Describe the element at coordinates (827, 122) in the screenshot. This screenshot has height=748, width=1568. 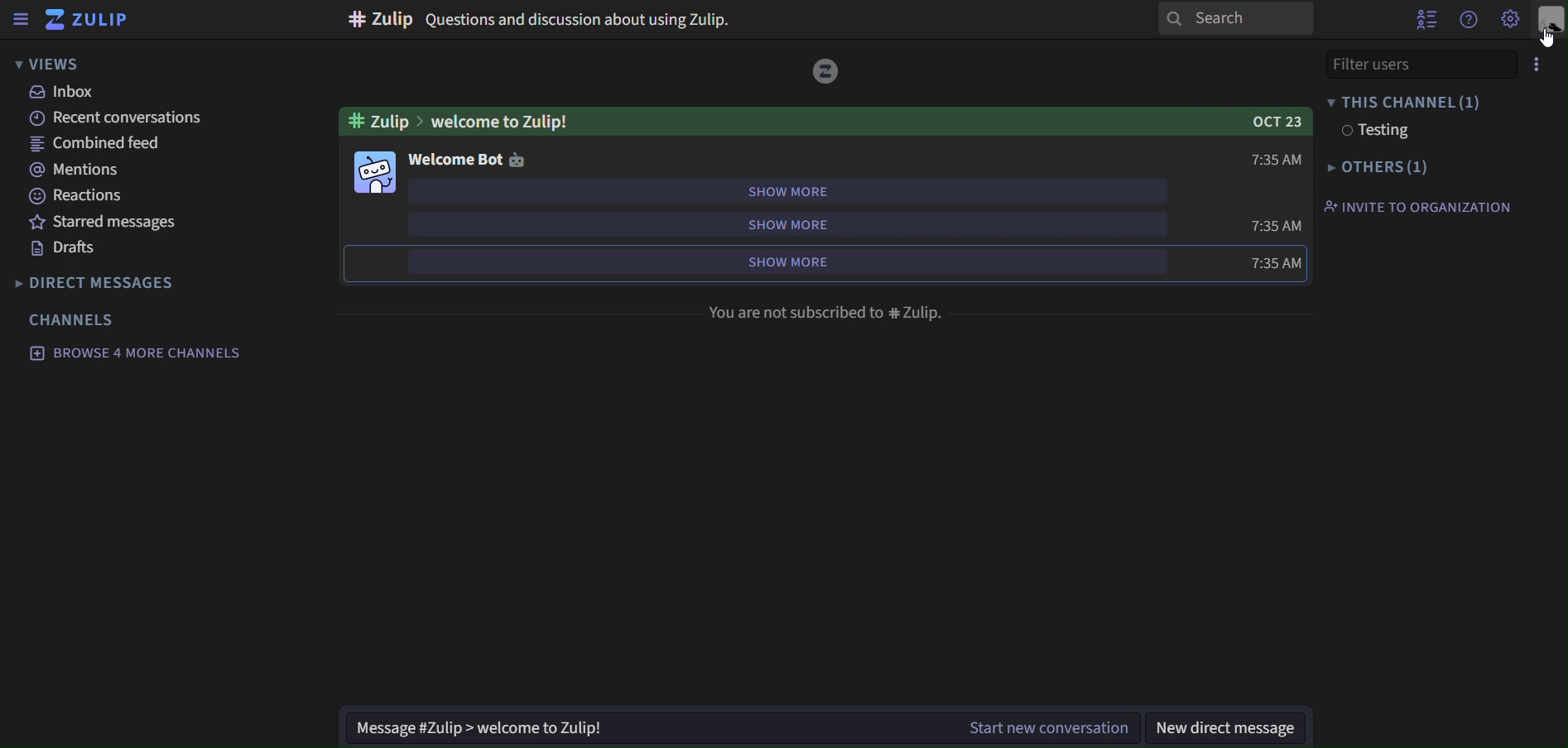
I see `welcome to zulip` at that location.